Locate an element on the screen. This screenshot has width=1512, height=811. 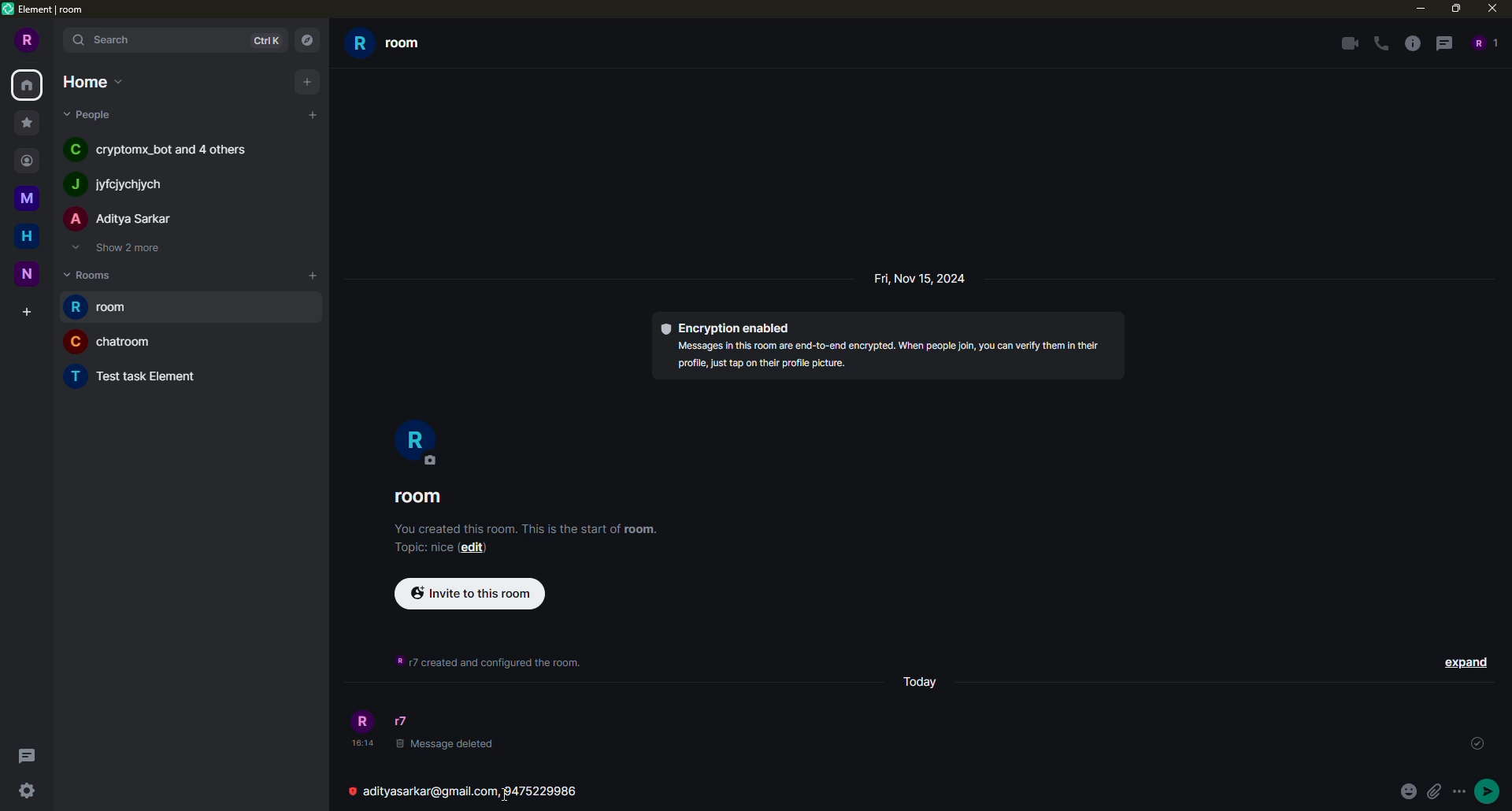
threads is located at coordinates (27, 754).